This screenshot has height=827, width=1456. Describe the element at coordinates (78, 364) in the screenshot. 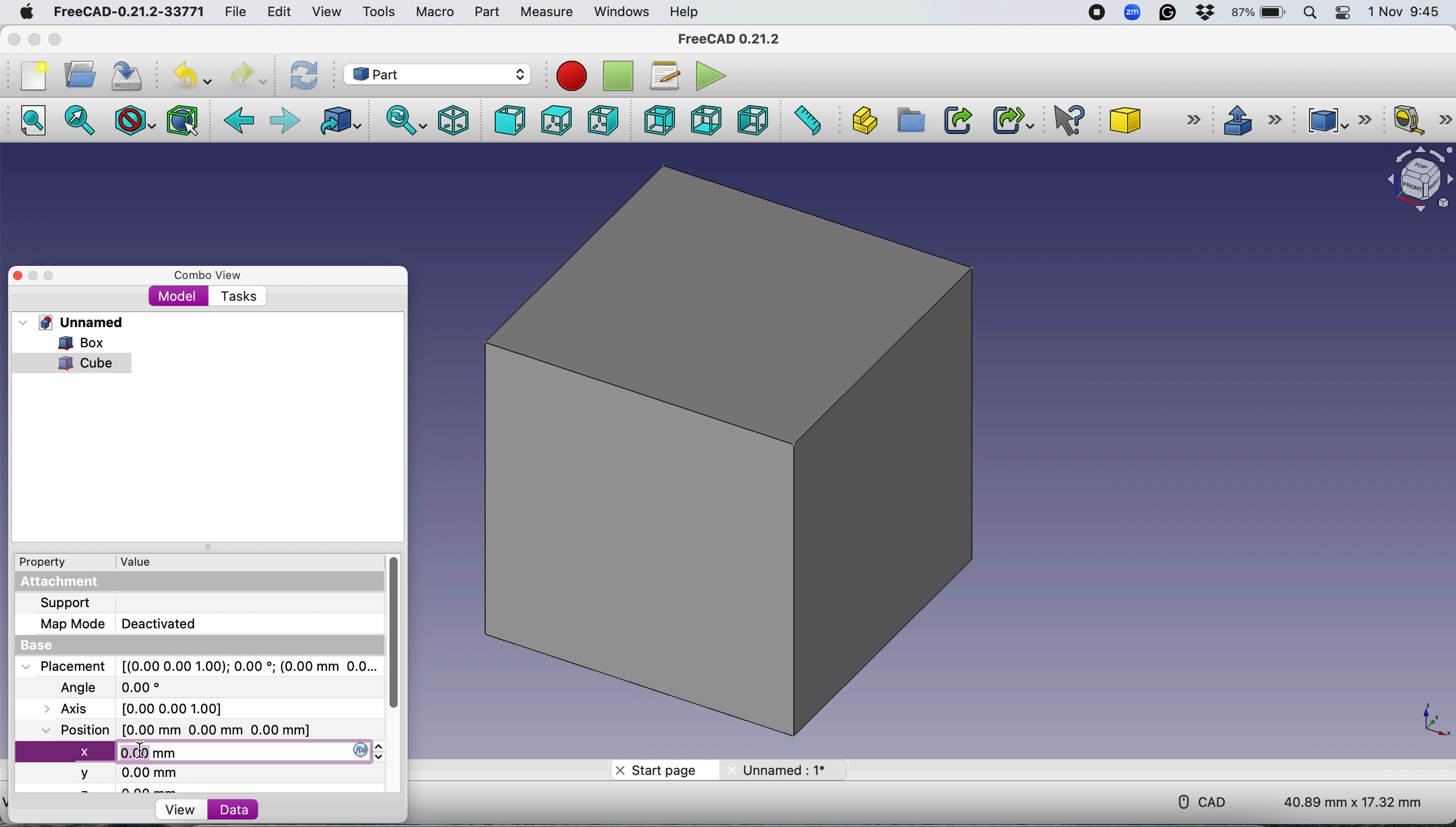

I see `cube selected` at that location.